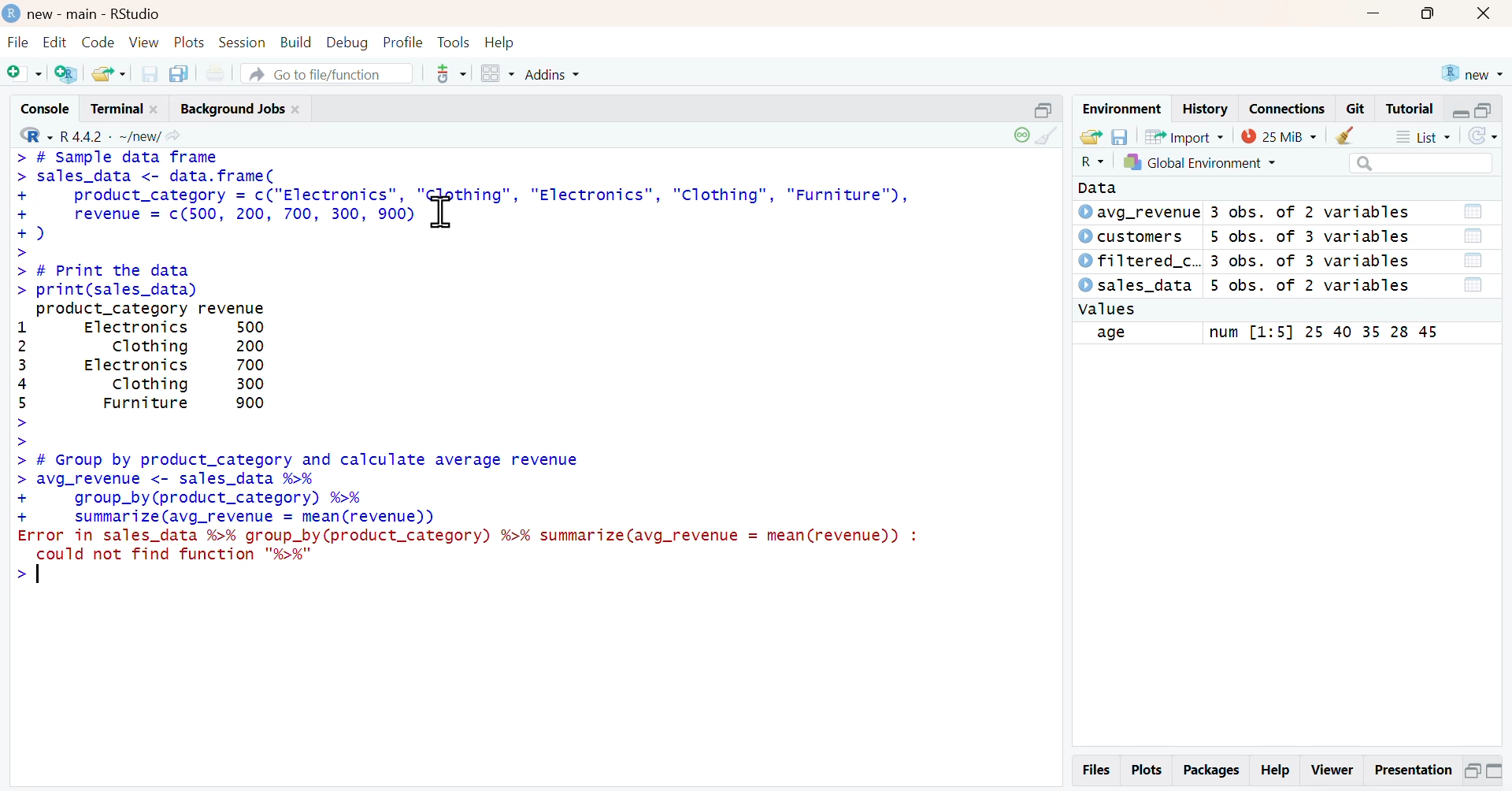  I want to click on Connections, so click(1288, 109).